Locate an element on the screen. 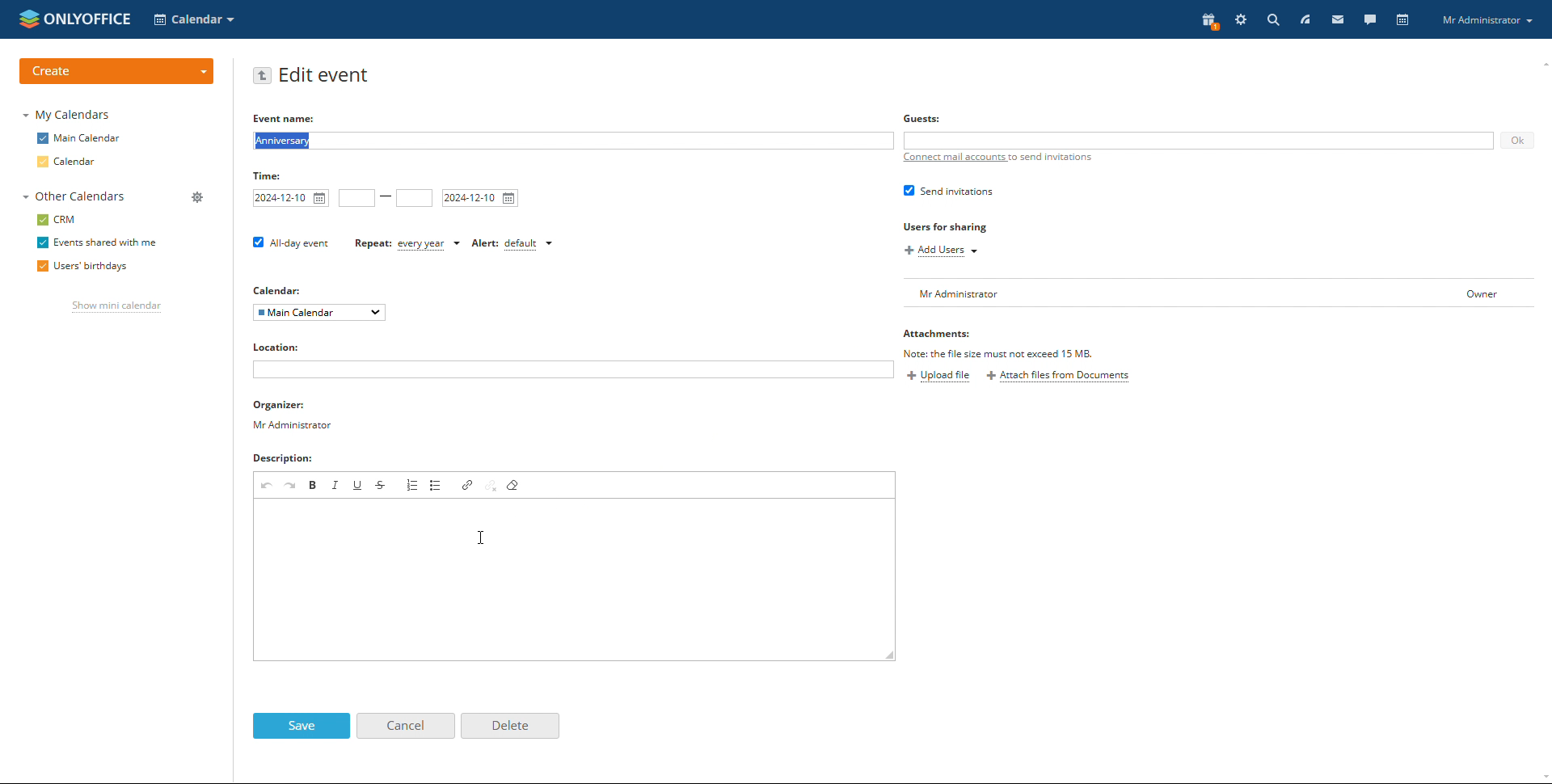 The width and height of the screenshot is (1552, 784). show mini calendar is located at coordinates (115, 307).